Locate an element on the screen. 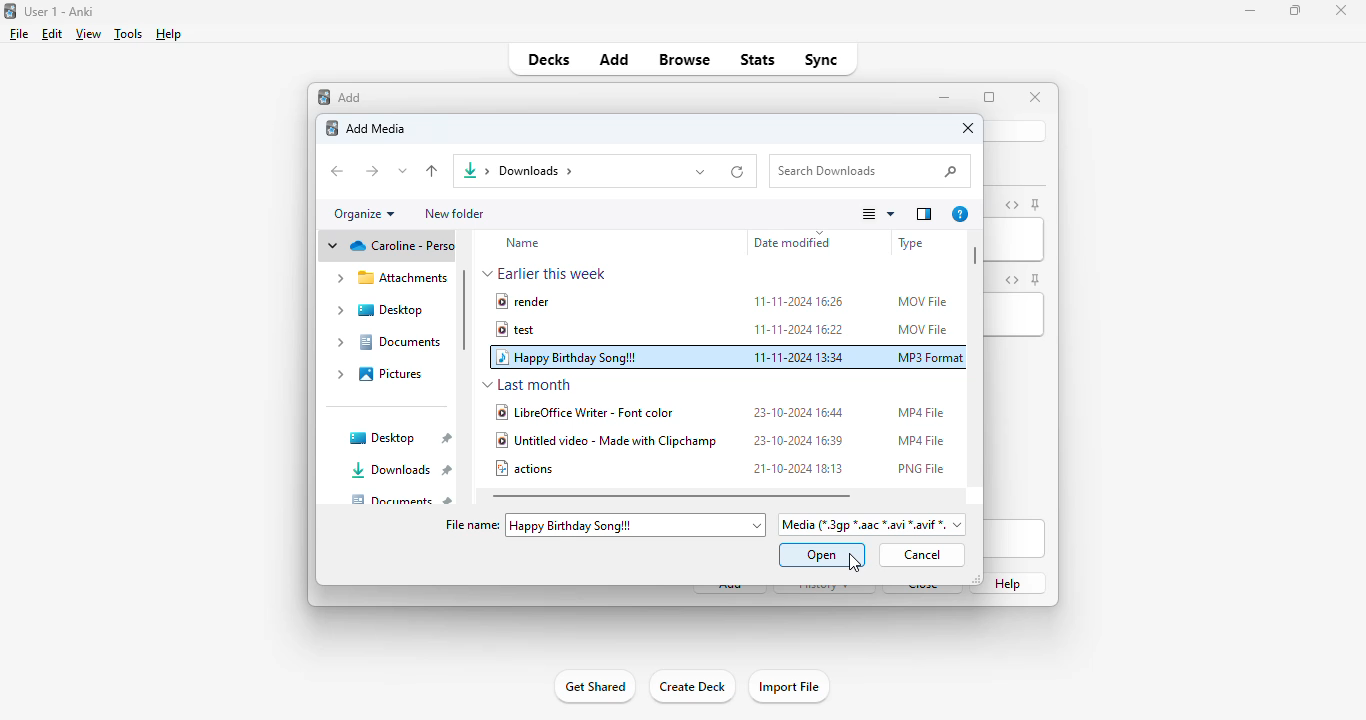  add is located at coordinates (615, 60).